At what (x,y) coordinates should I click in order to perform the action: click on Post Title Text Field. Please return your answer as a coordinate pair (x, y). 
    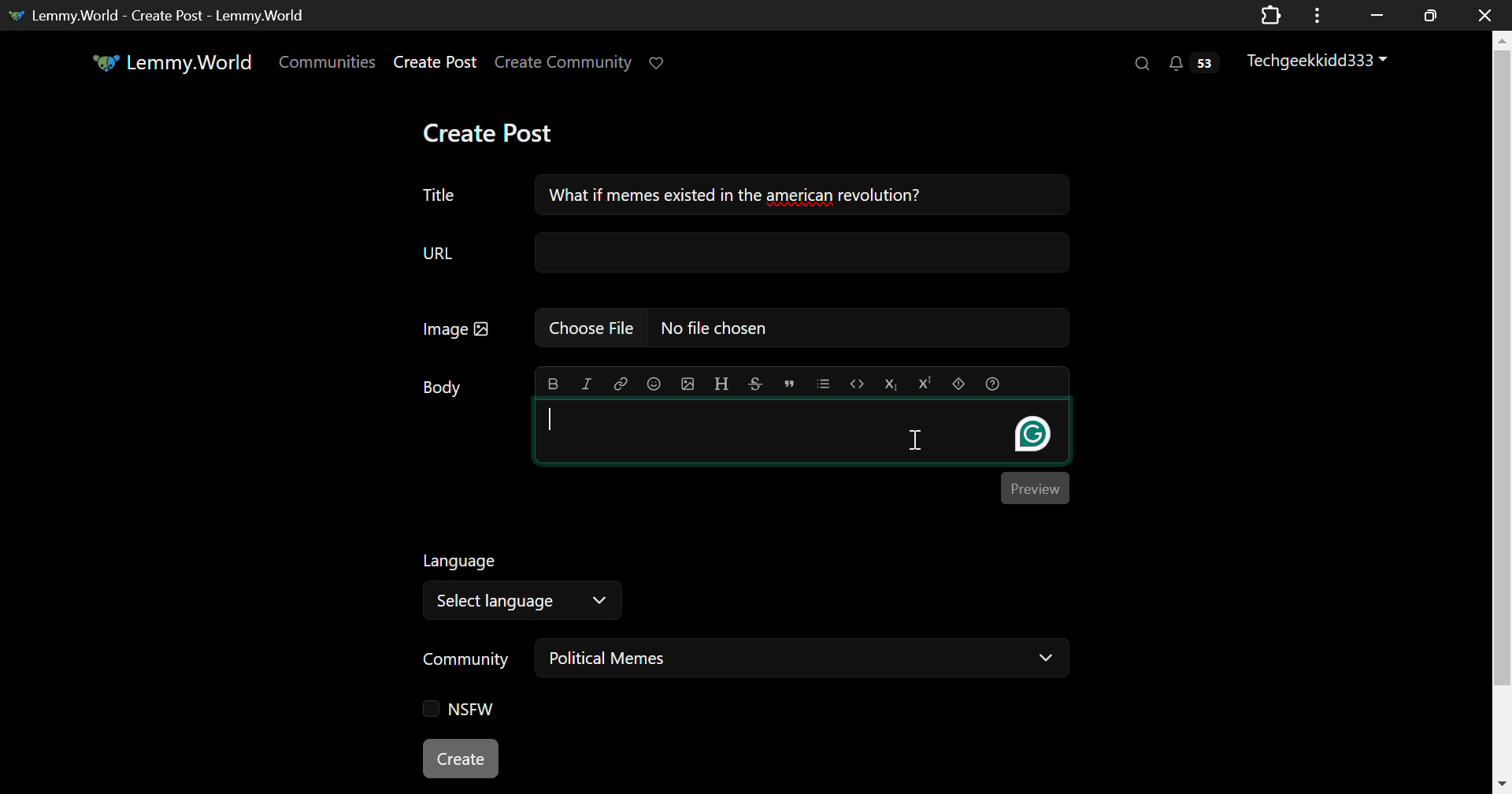
    Looking at the image, I should click on (441, 194).